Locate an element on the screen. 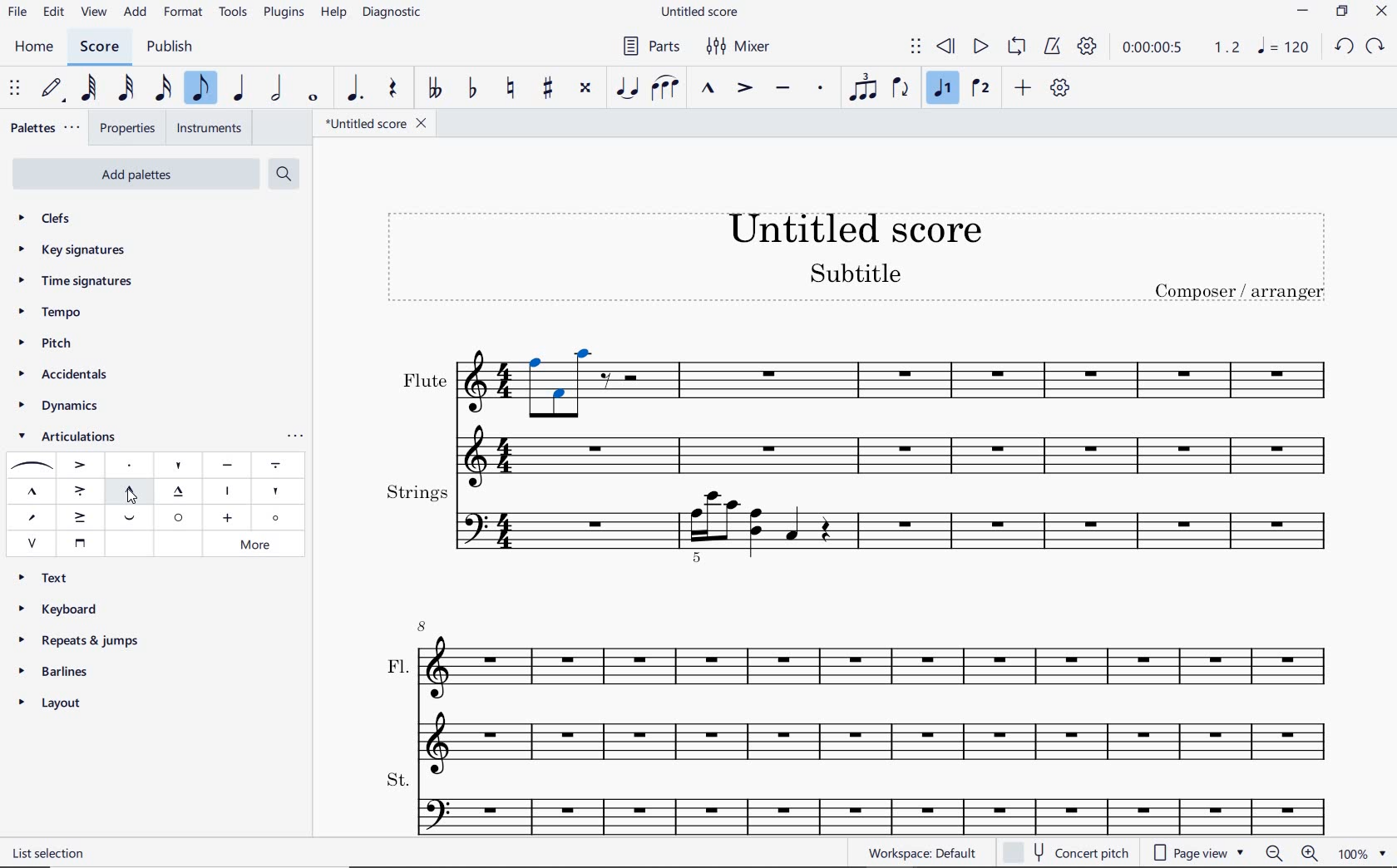 The height and width of the screenshot is (868, 1397). flute is located at coordinates (856, 412).